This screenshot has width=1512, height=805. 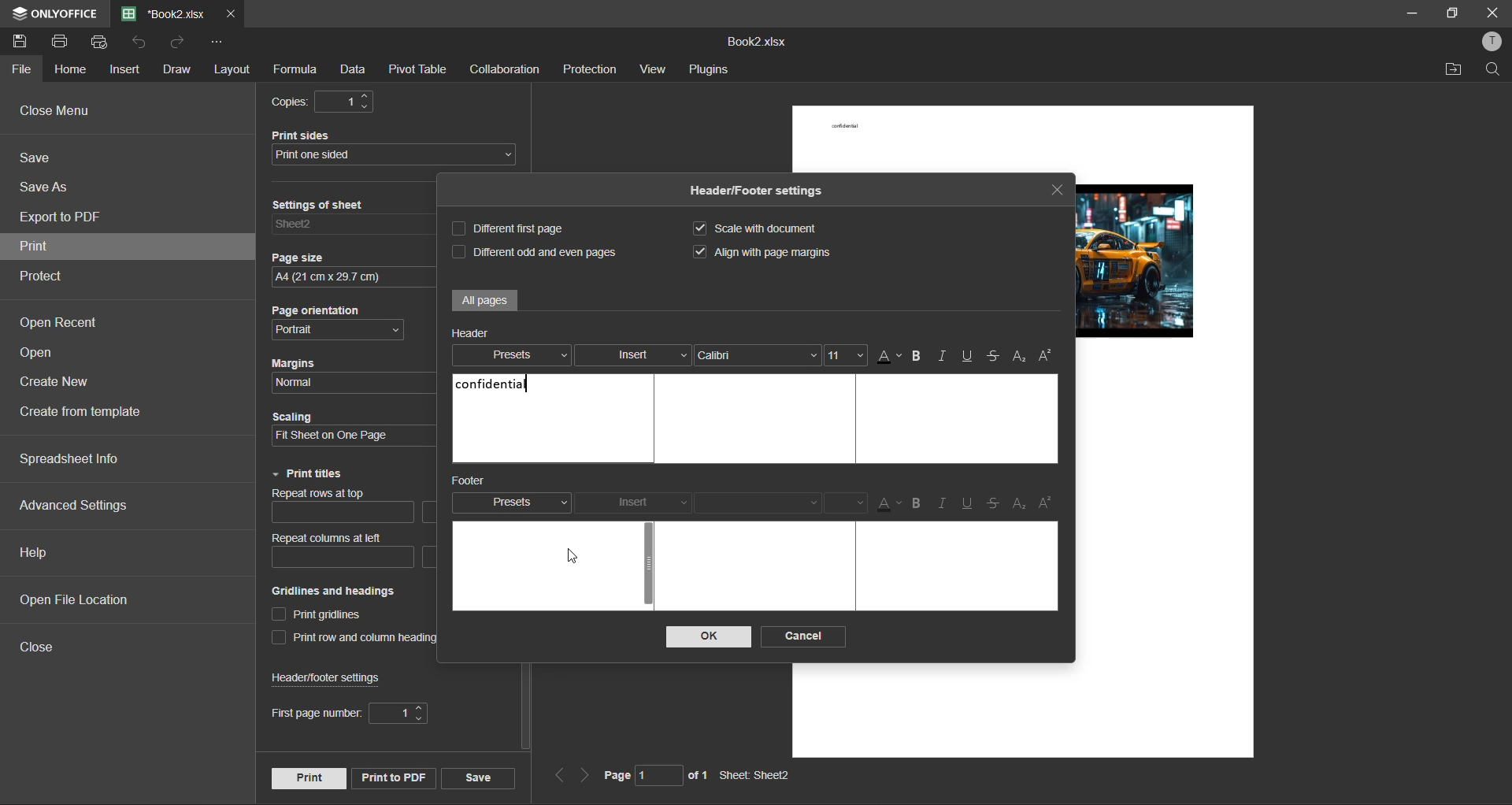 I want to click on scale with document, so click(x=750, y=230).